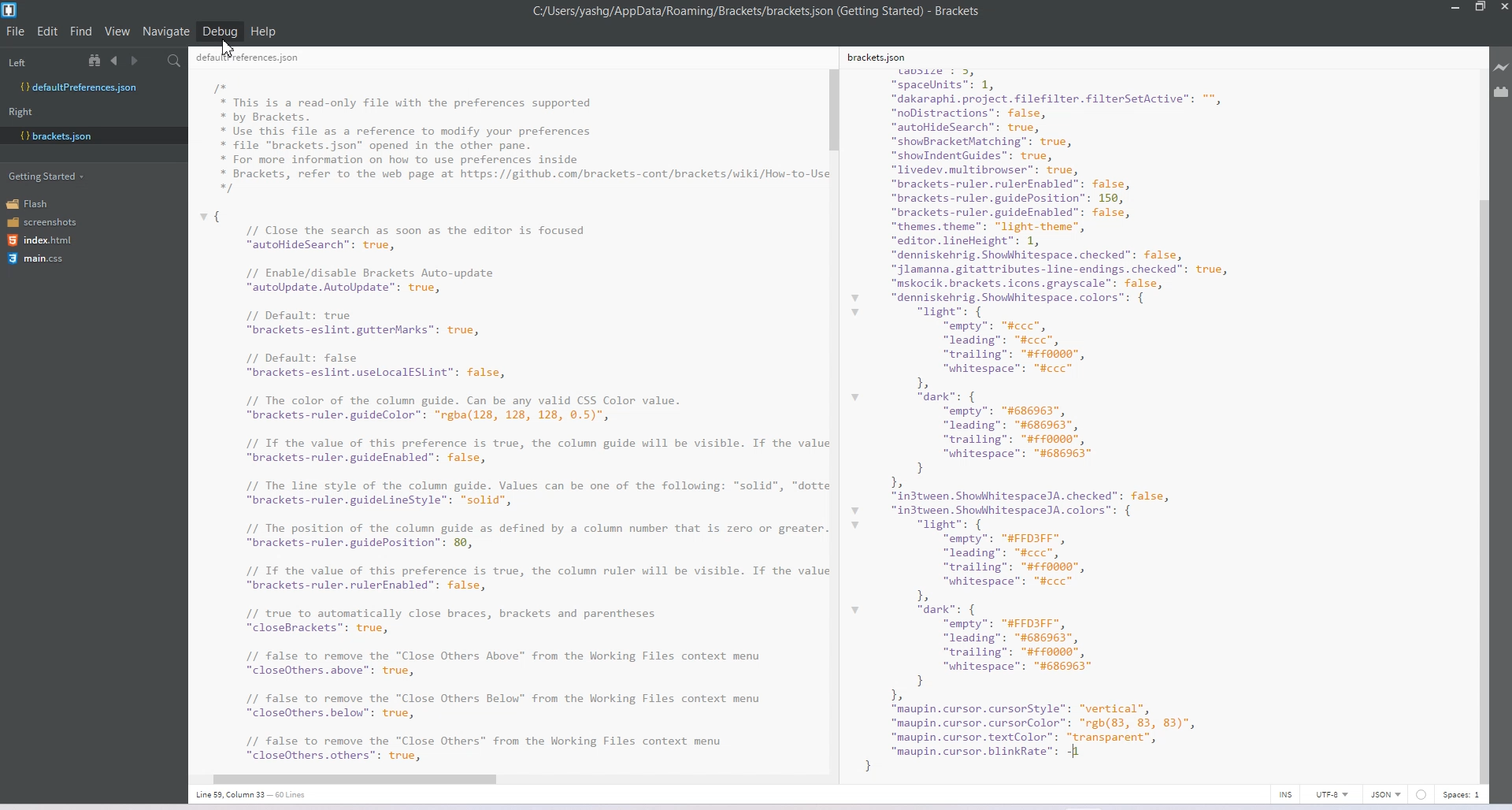 Image resolution: width=1512 pixels, height=810 pixels. Describe the element at coordinates (93, 87) in the screenshot. I see `Defaultpreferences.json` at that location.